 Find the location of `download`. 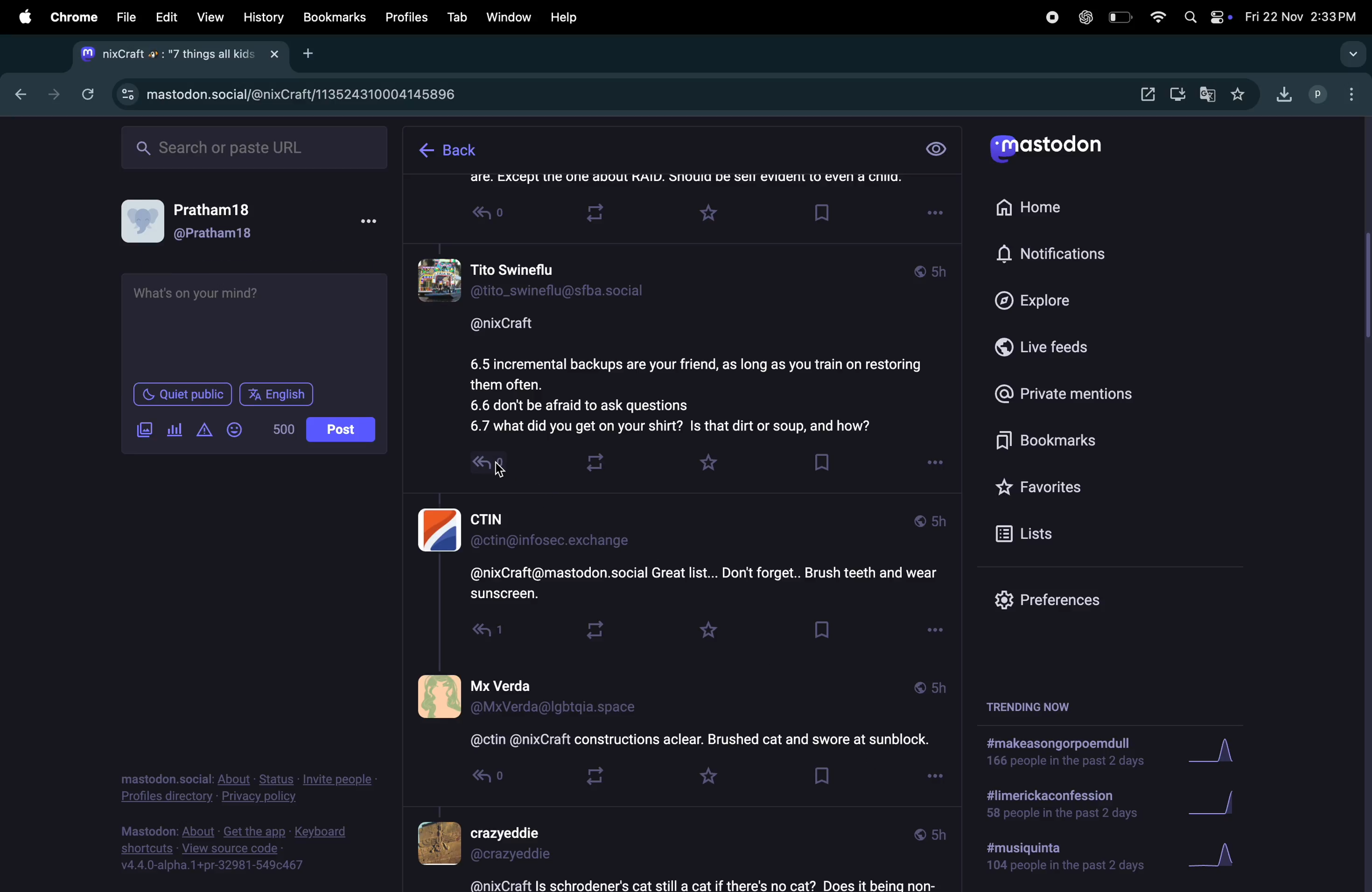

download is located at coordinates (1282, 97).